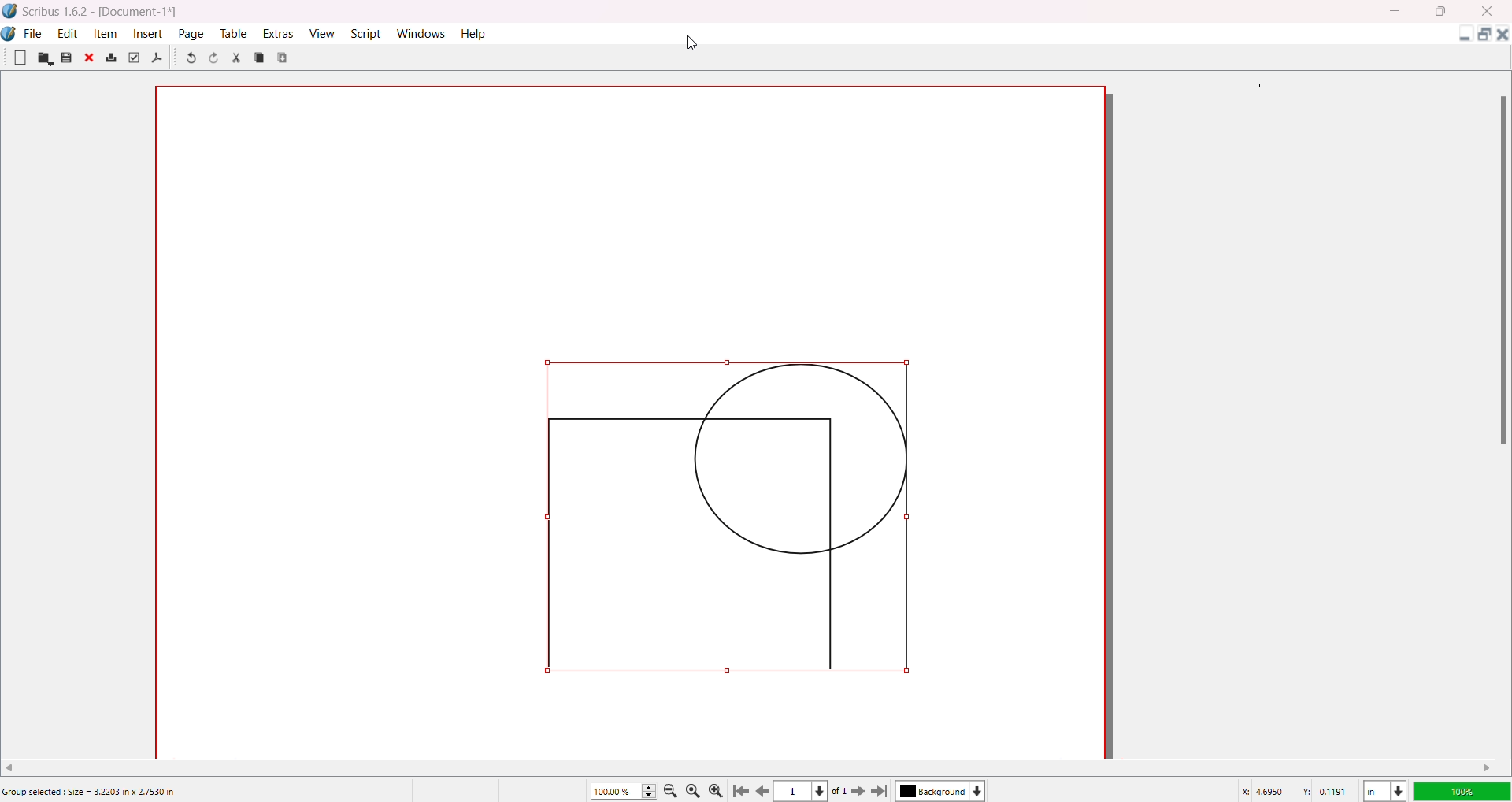 The image size is (1512, 802). Describe the element at coordinates (1461, 37) in the screenshot. I see `Minimize Document` at that location.